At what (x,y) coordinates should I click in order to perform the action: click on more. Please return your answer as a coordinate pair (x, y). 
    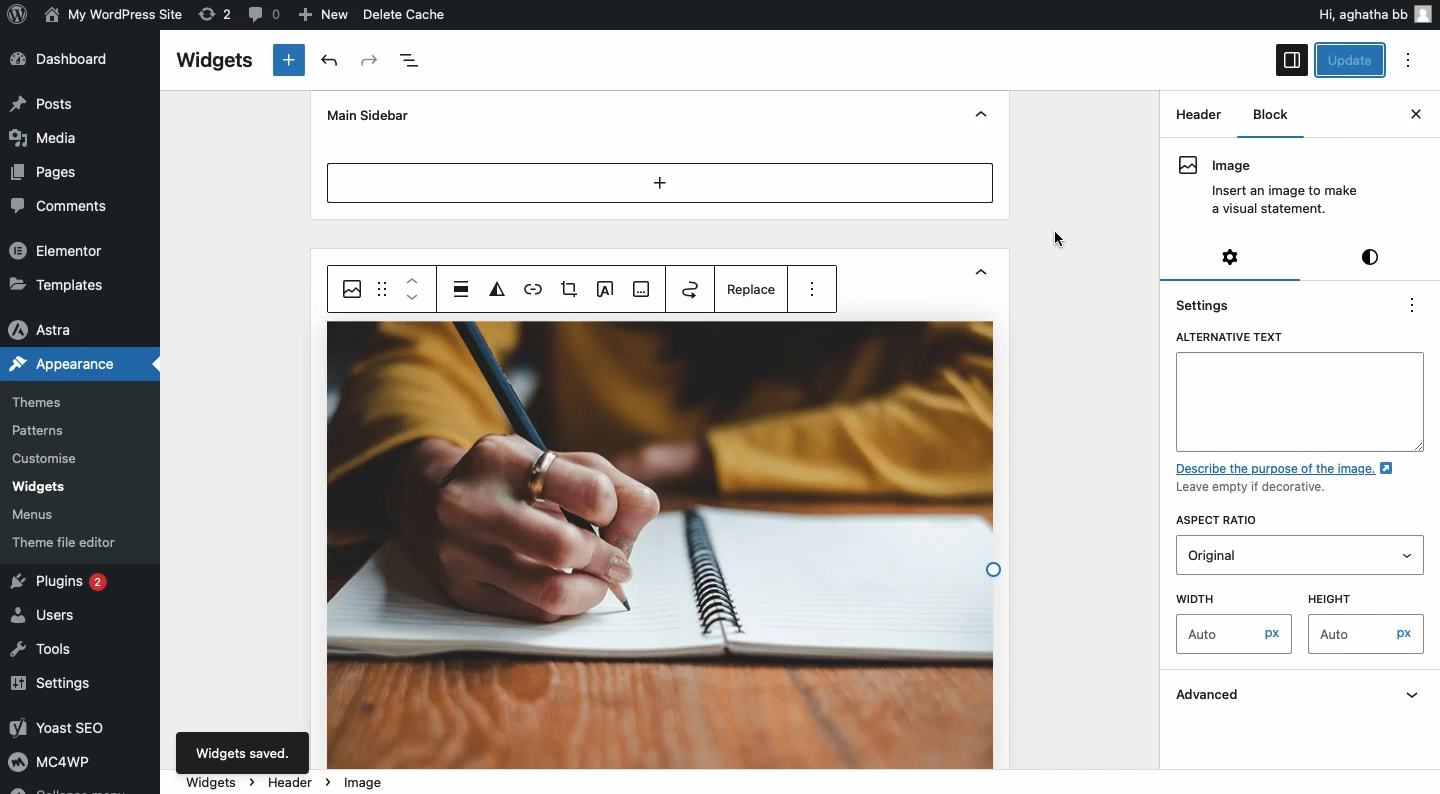
    Looking at the image, I should click on (813, 285).